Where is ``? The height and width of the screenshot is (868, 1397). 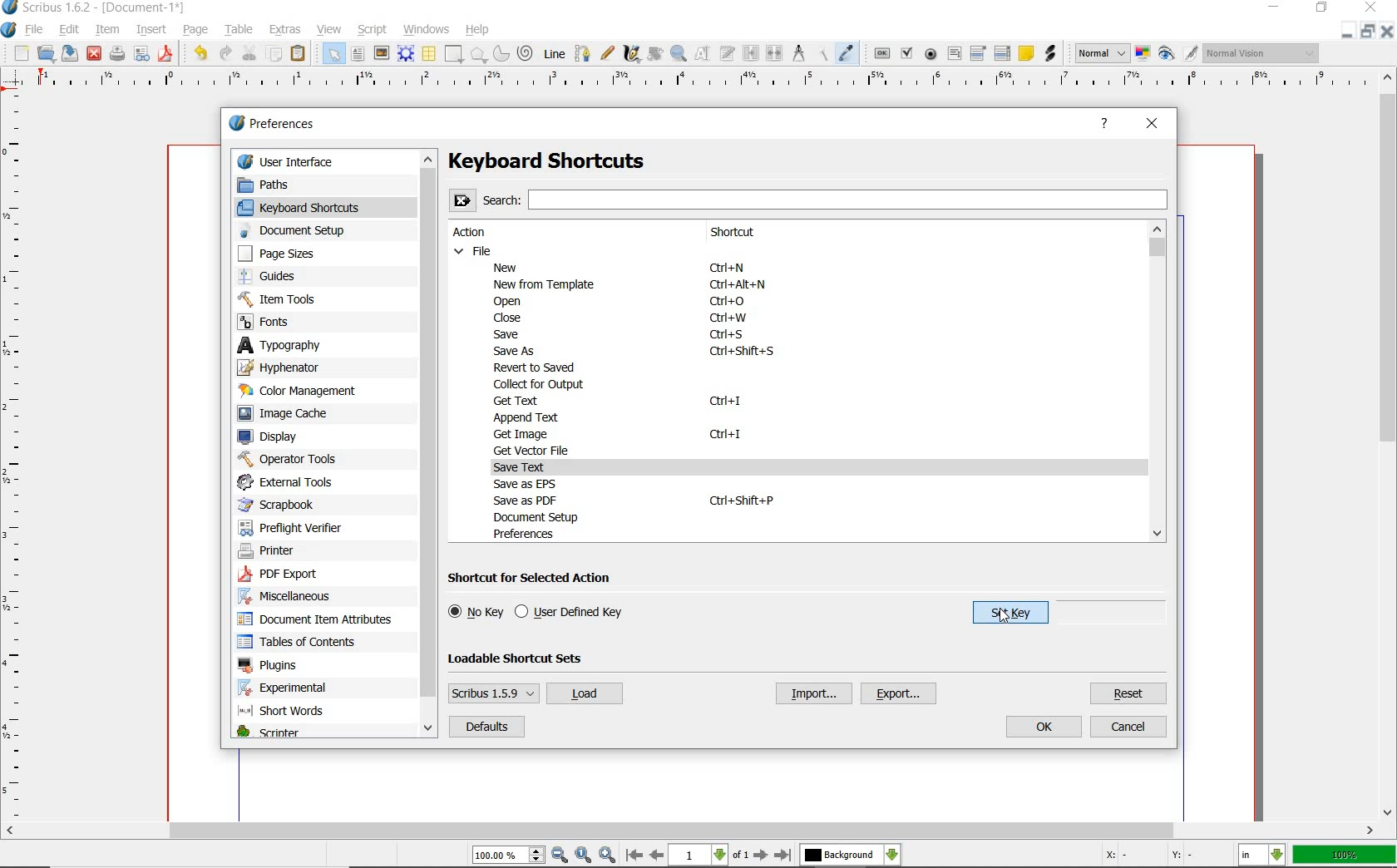  is located at coordinates (141, 57).